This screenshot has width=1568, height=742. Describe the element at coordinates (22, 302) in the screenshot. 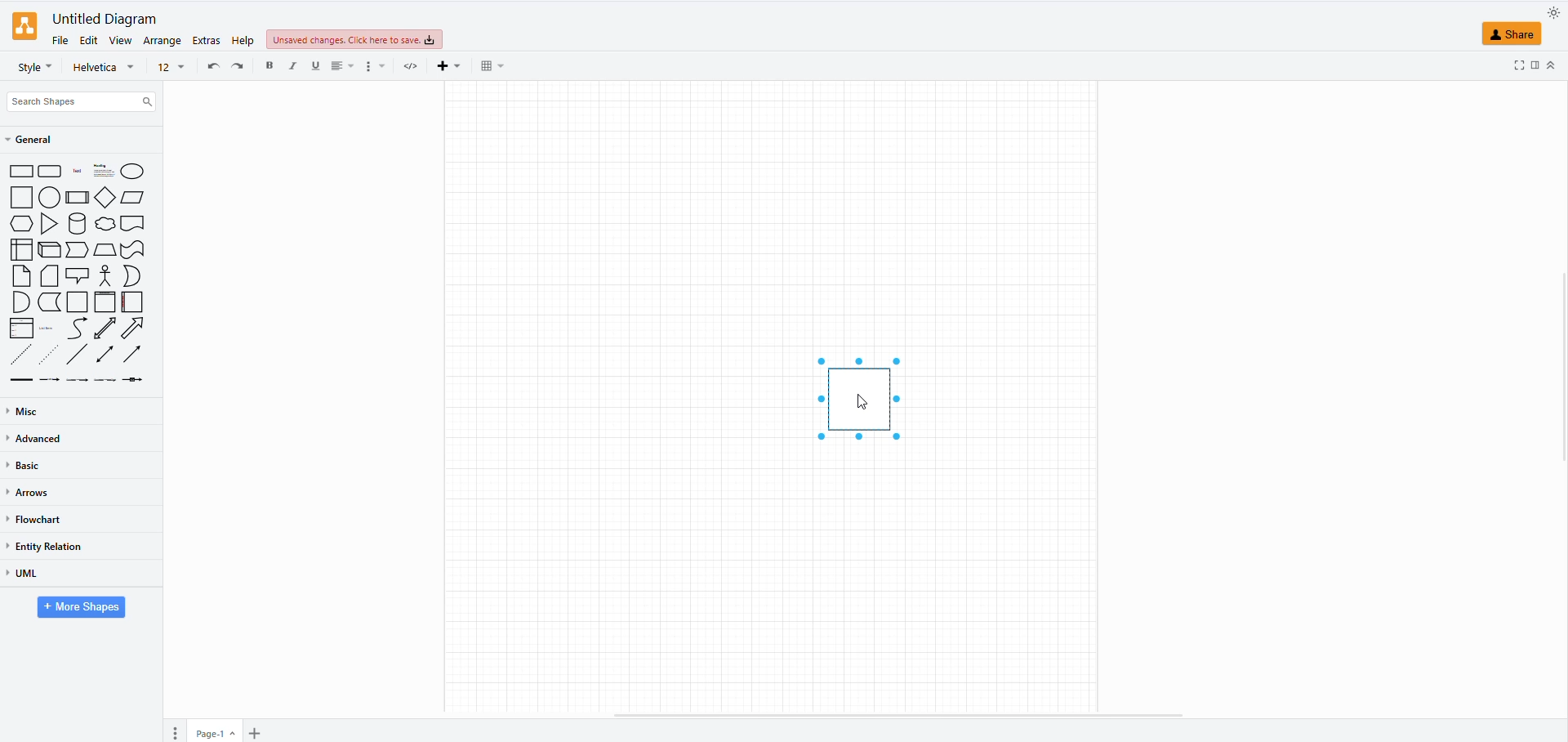

I see `And` at that location.